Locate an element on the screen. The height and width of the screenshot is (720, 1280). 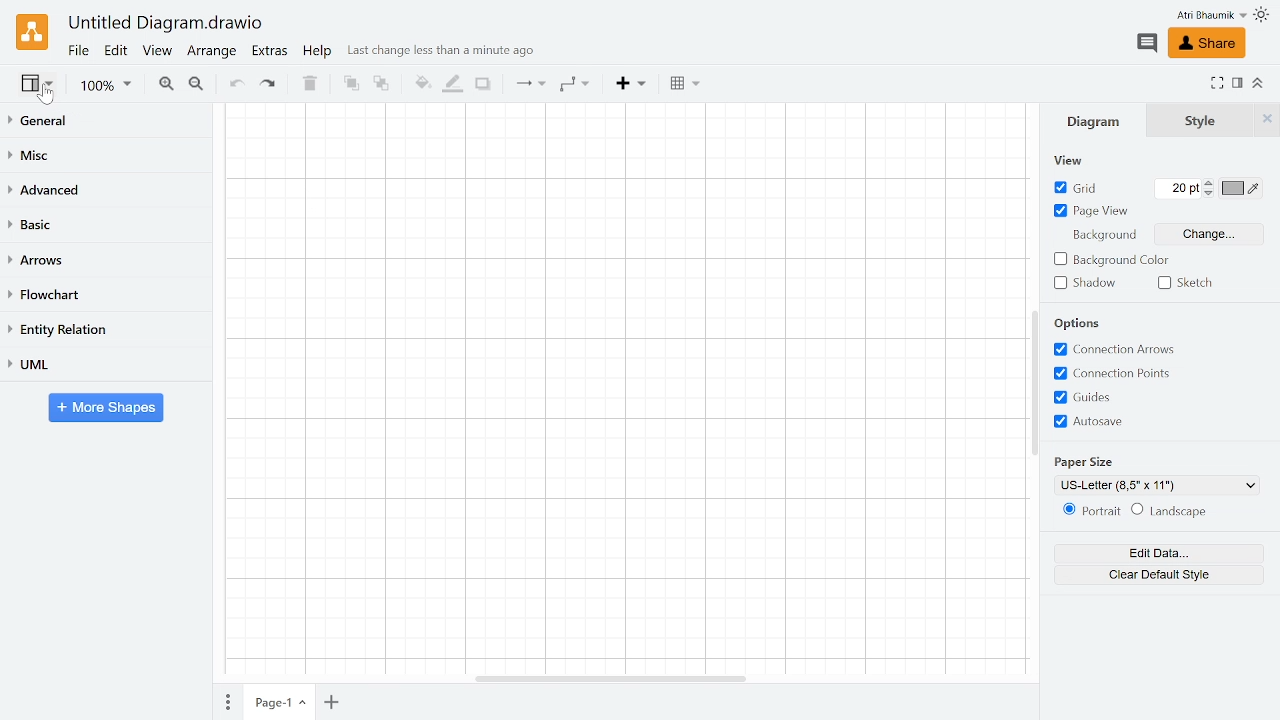
Style is located at coordinates (1202, 121).